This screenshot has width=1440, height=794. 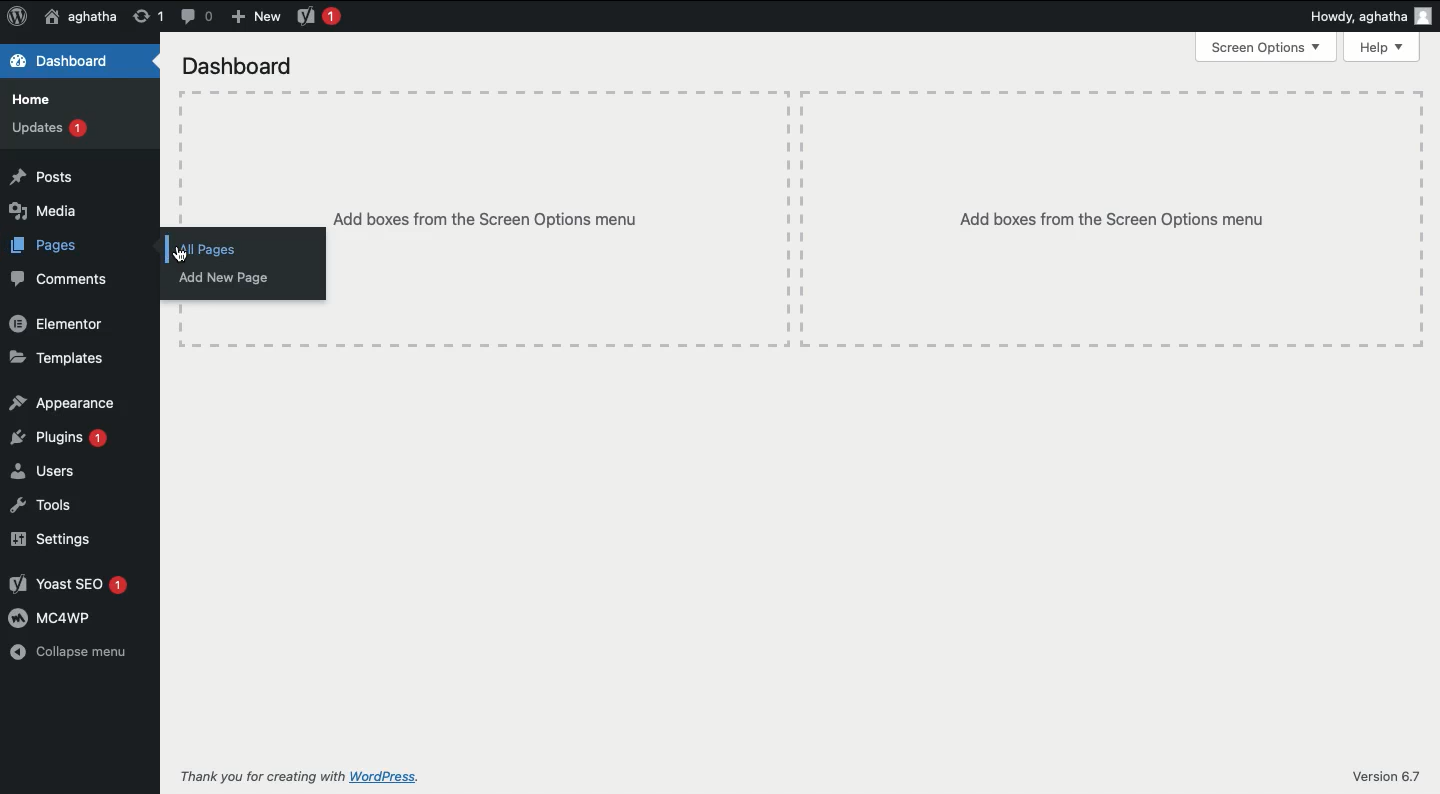 I want to click on Revision, so click(x=144, y=16).